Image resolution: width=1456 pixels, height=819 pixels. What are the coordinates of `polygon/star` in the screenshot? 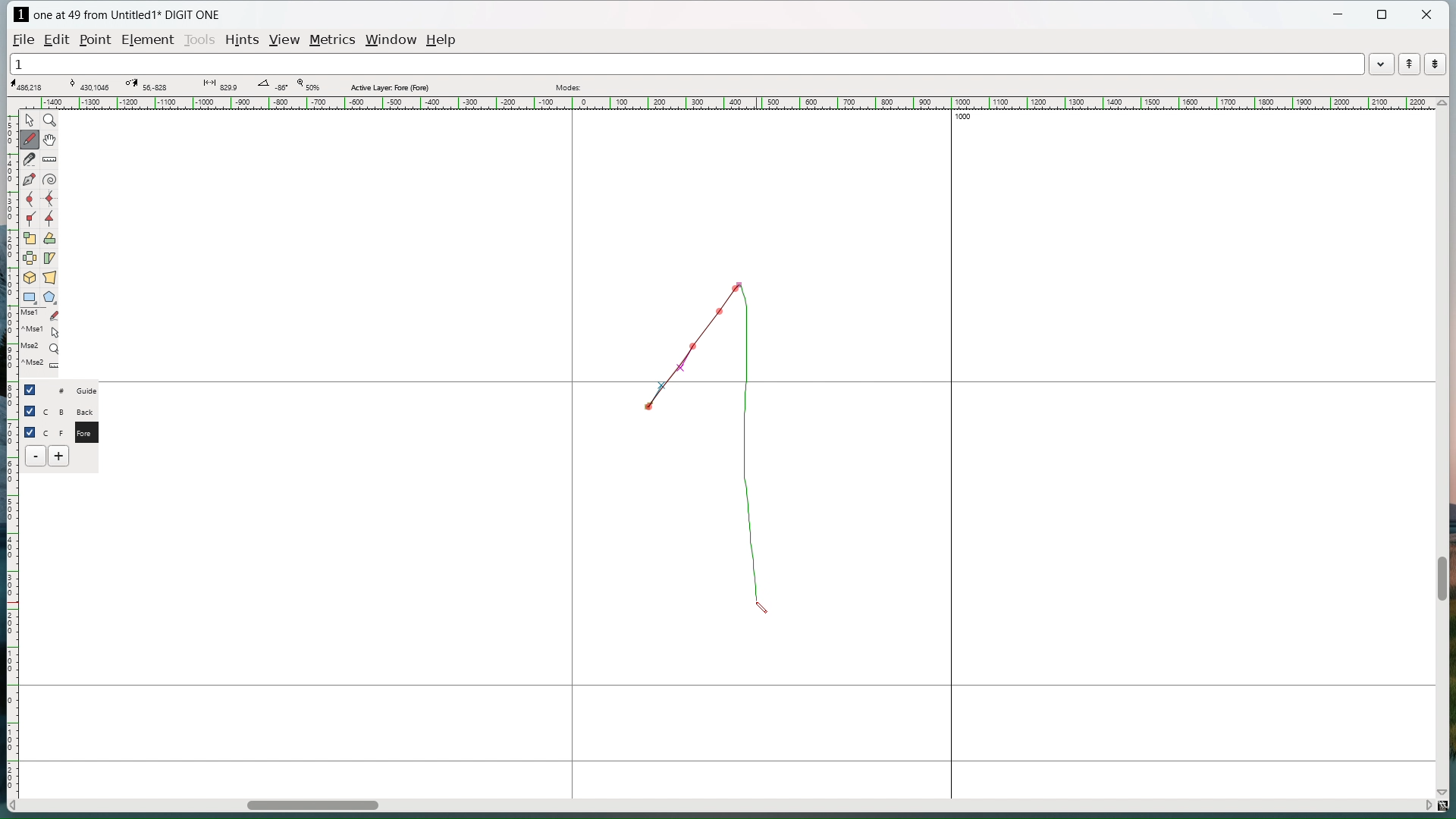 It's located at (50, 297).